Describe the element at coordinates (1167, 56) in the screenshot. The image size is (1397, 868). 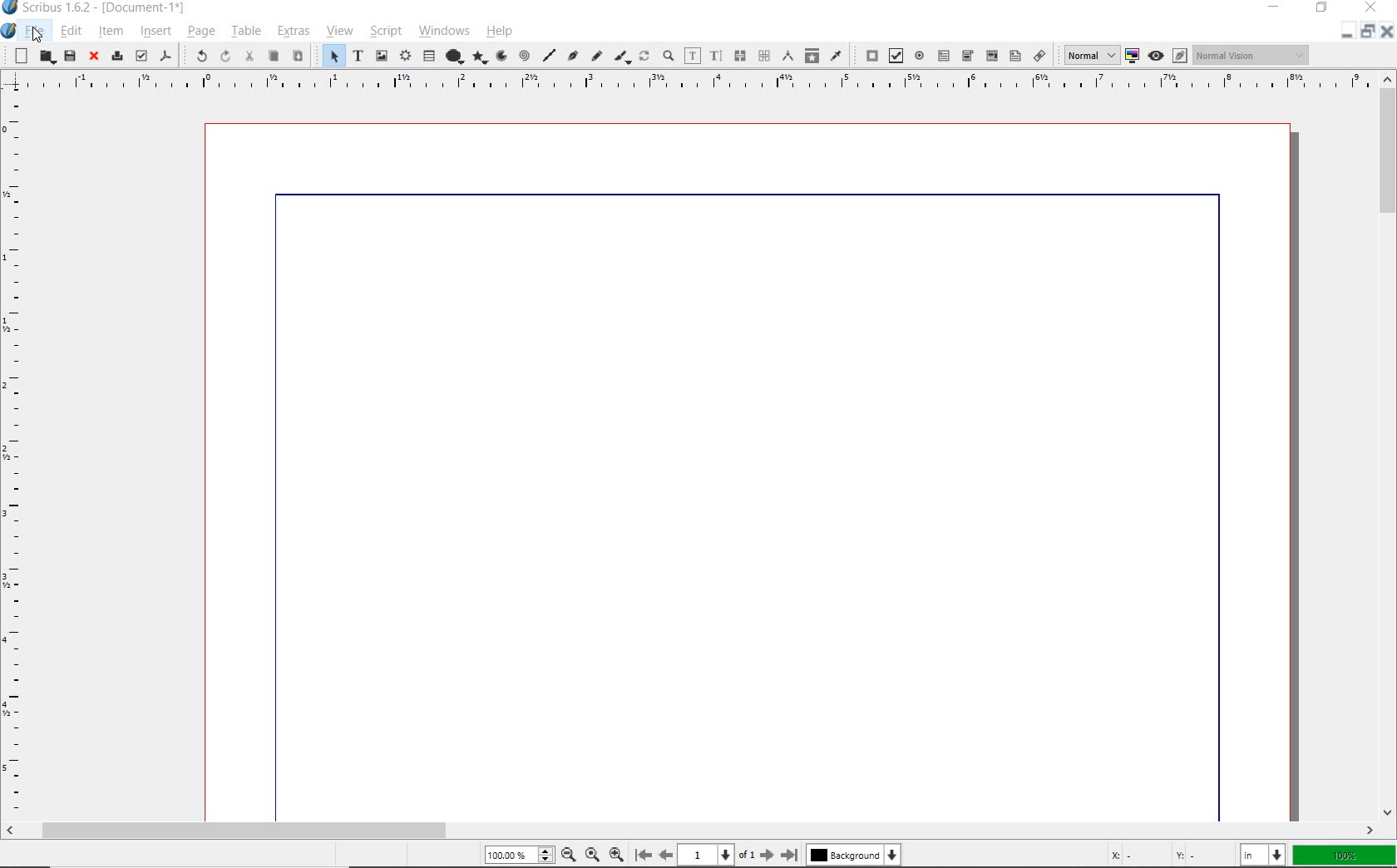
I see `preview mode` at that location.